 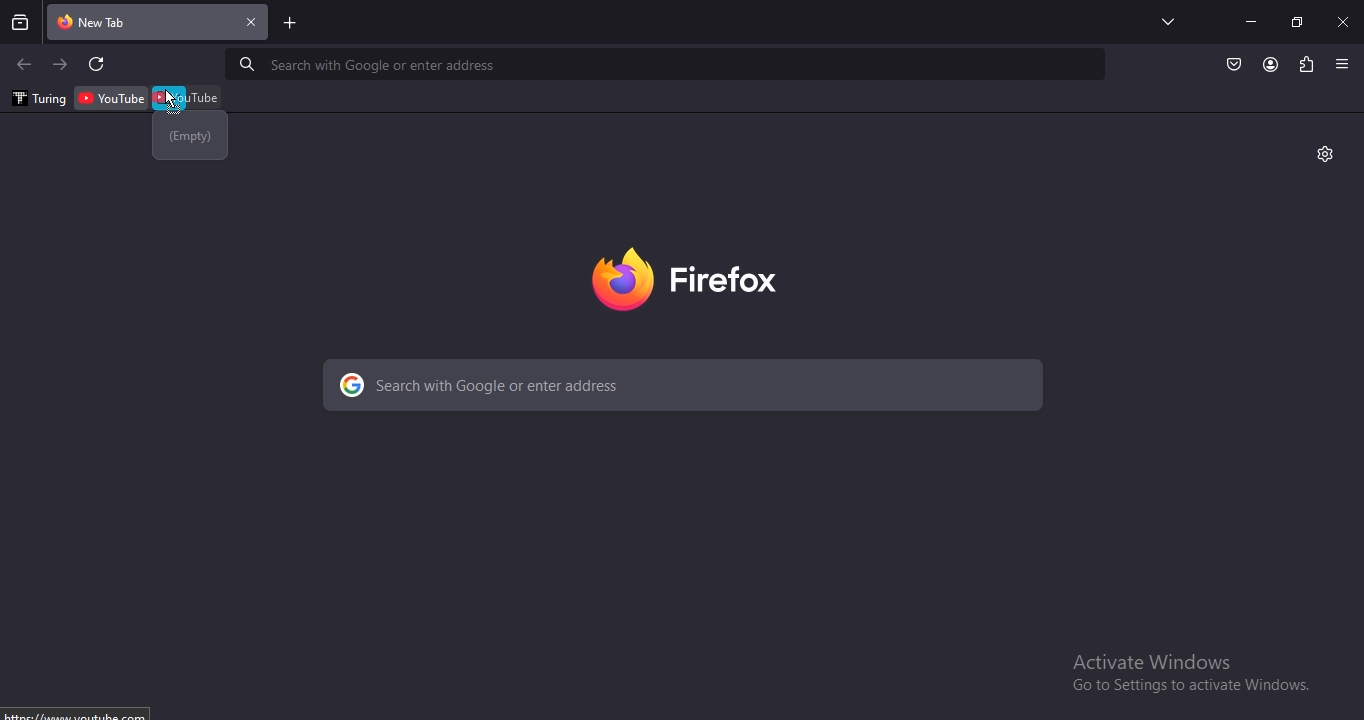 What do you see at coordinates (159, 23) in the screenshot?
I see `current tab` at bounding box center [159, 23].